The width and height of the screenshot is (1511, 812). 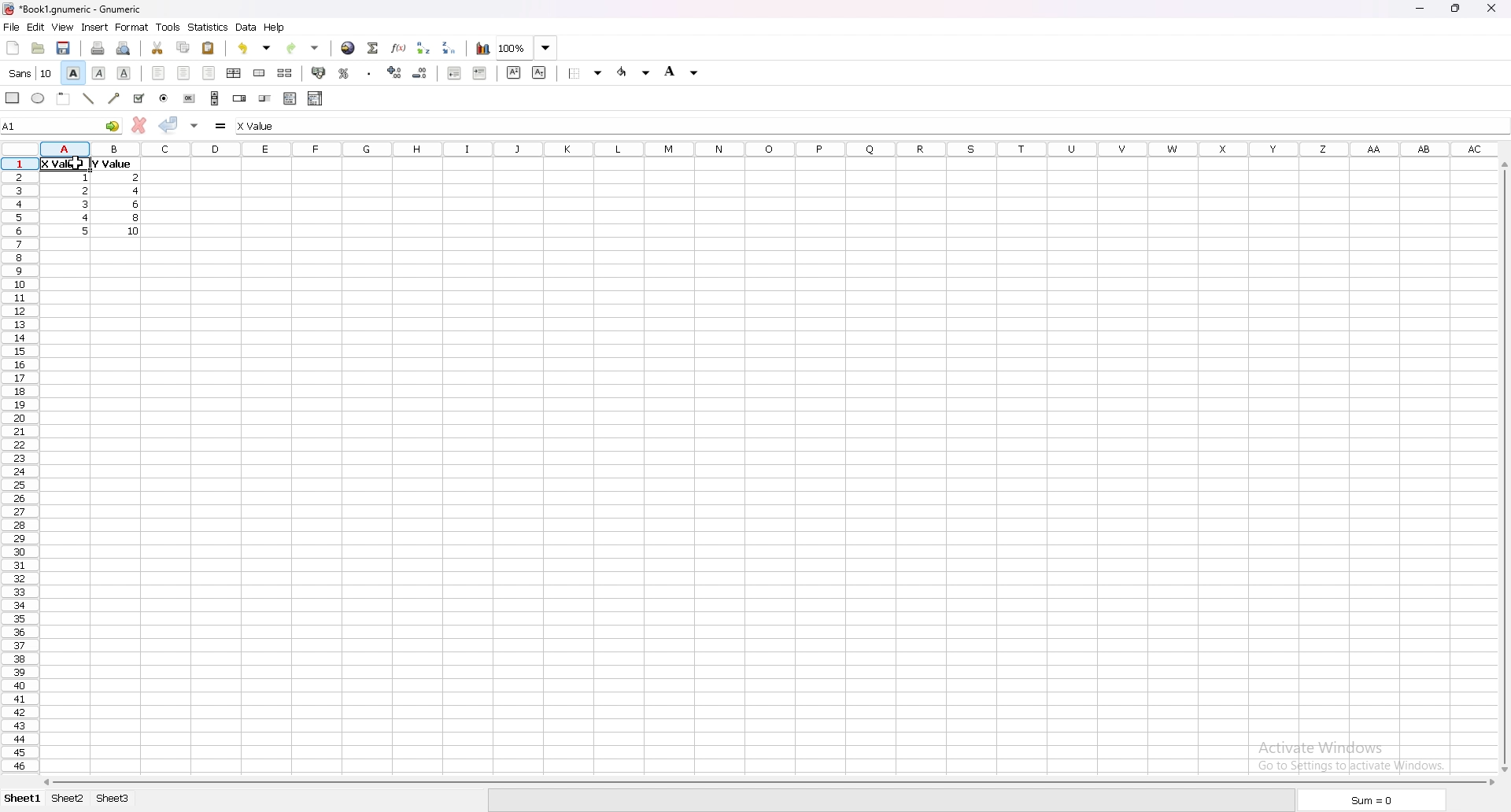 I want to click on subscript, so click(x=540, y=72).